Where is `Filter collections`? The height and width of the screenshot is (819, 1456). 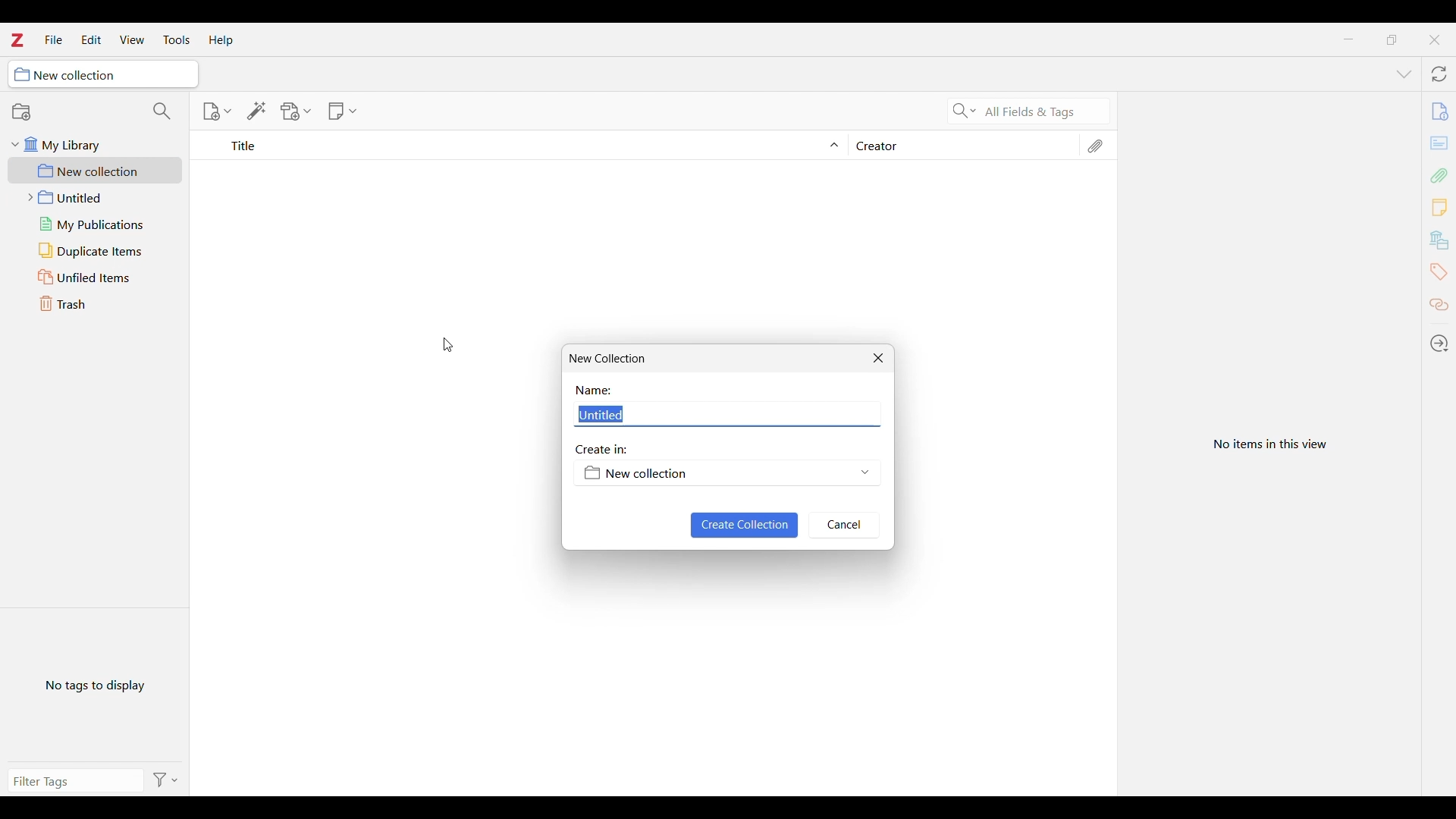
Filter collections is located at coordinates (163, 111).